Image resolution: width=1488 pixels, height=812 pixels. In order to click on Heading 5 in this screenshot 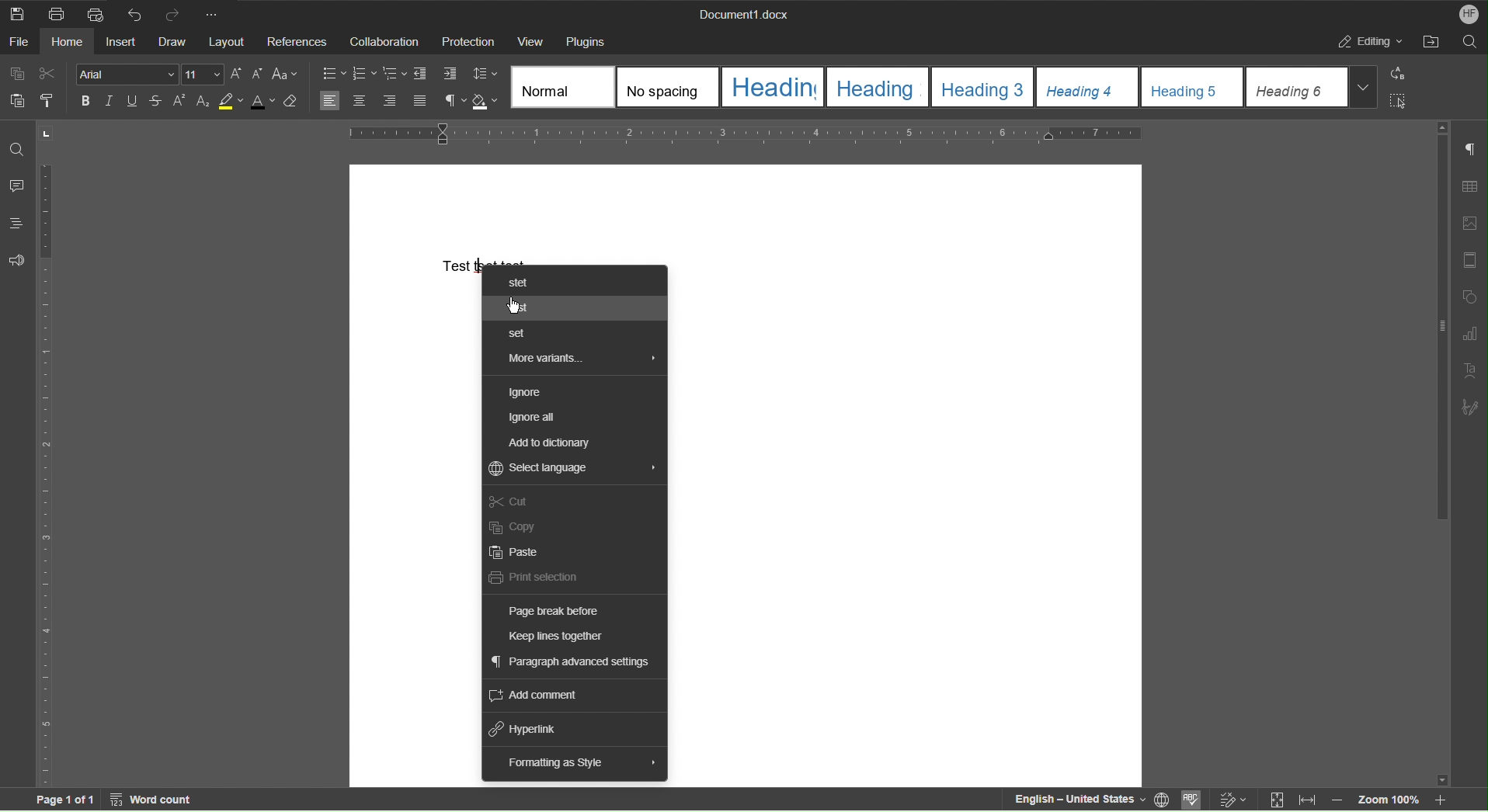, I will do `click(1193, 88)`.